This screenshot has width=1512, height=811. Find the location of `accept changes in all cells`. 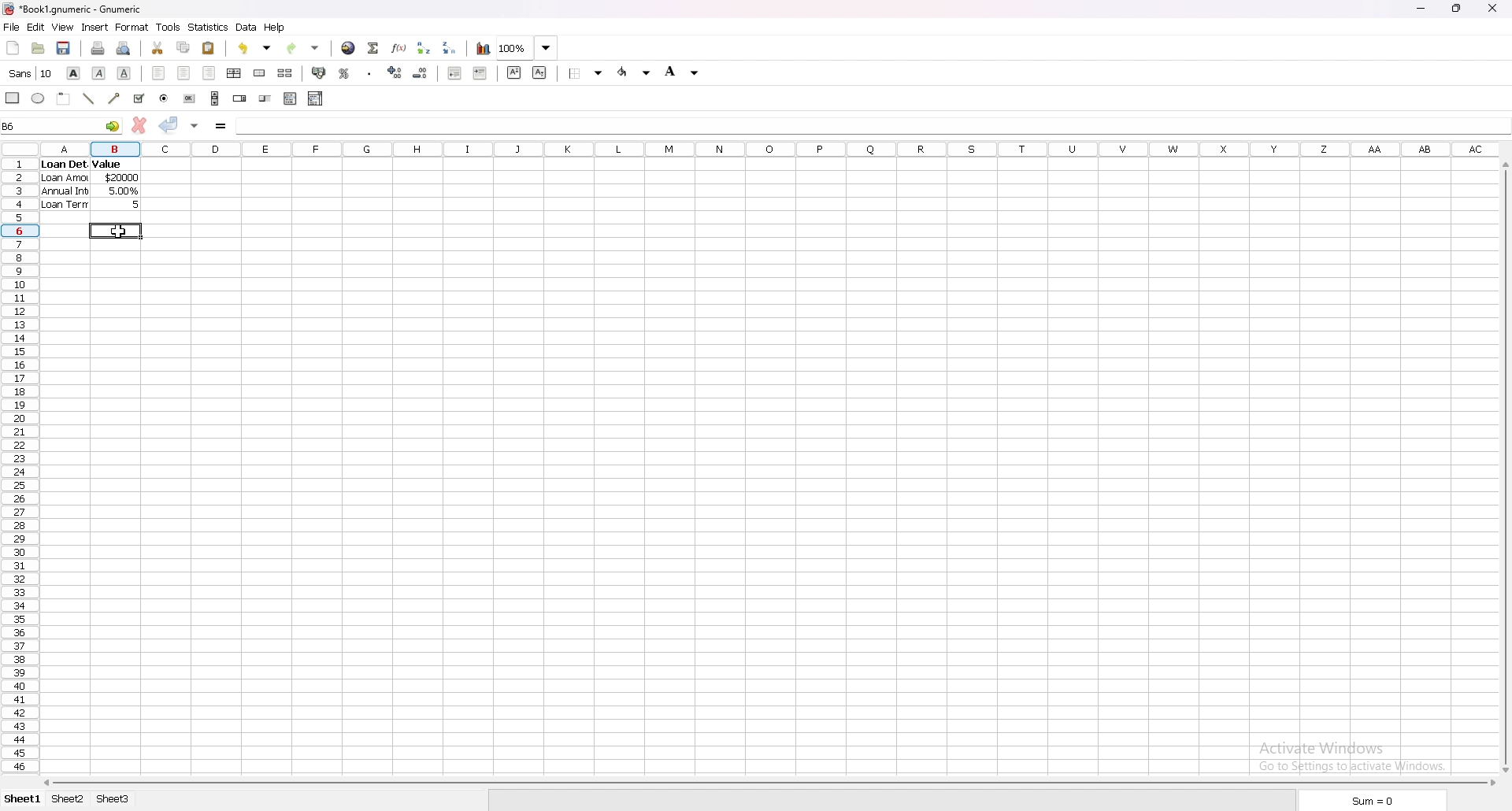

accept changes in all cells is located at coordinates (195, 127).